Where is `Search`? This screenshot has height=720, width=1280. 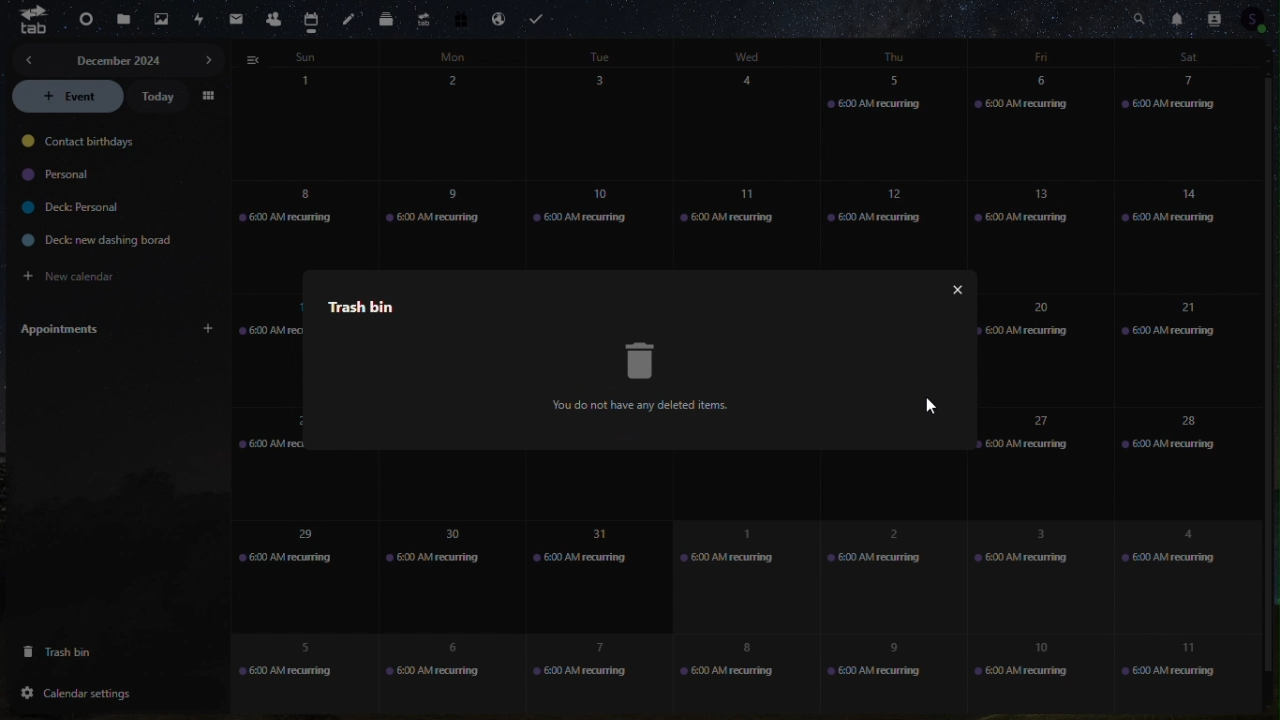 Search is located at coordinates (1139, 17).